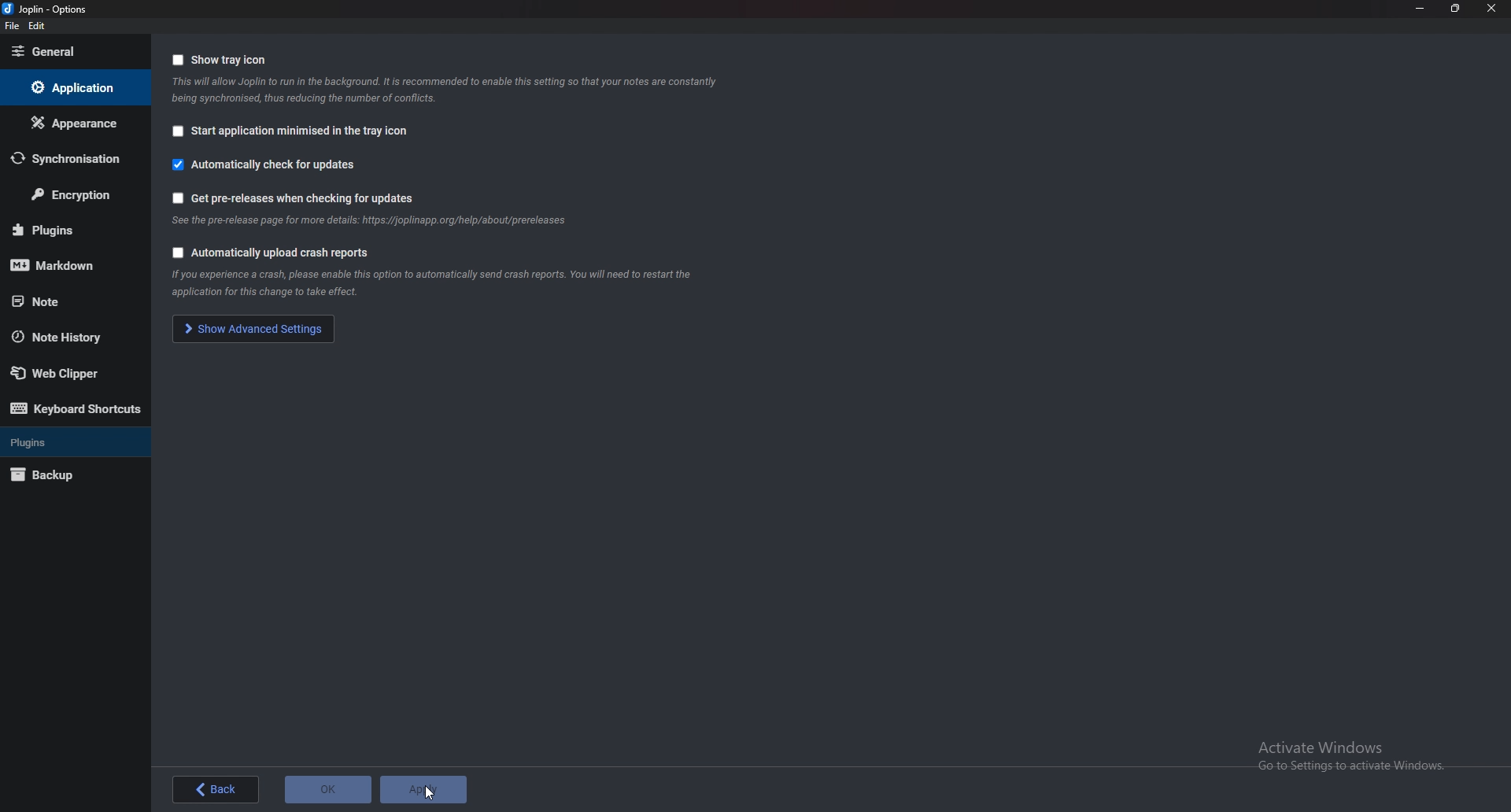 The image size is (1511, 812). I want to click on Apply, so click(423, 791).